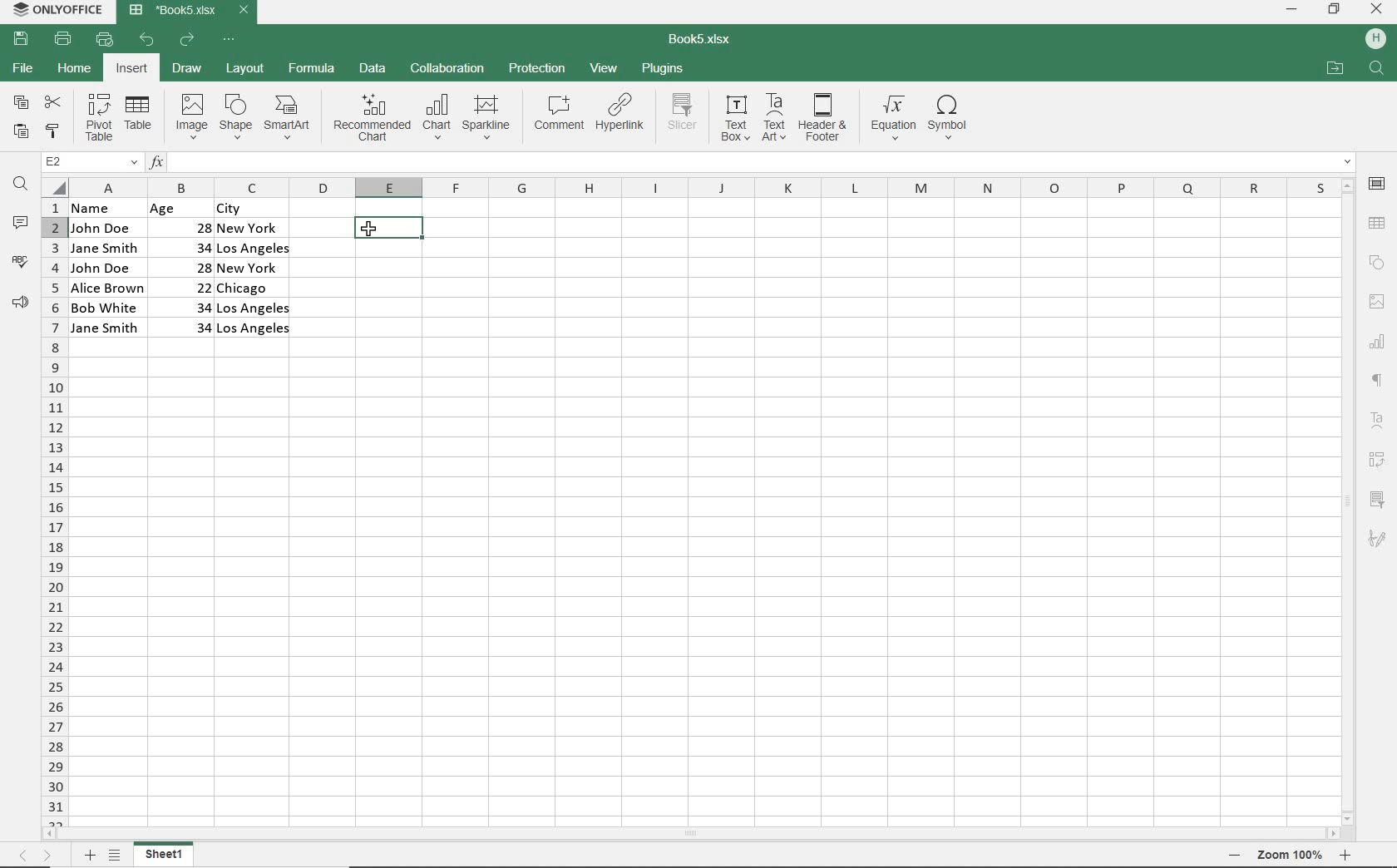  I want to click on FIND, so click(19, 186).